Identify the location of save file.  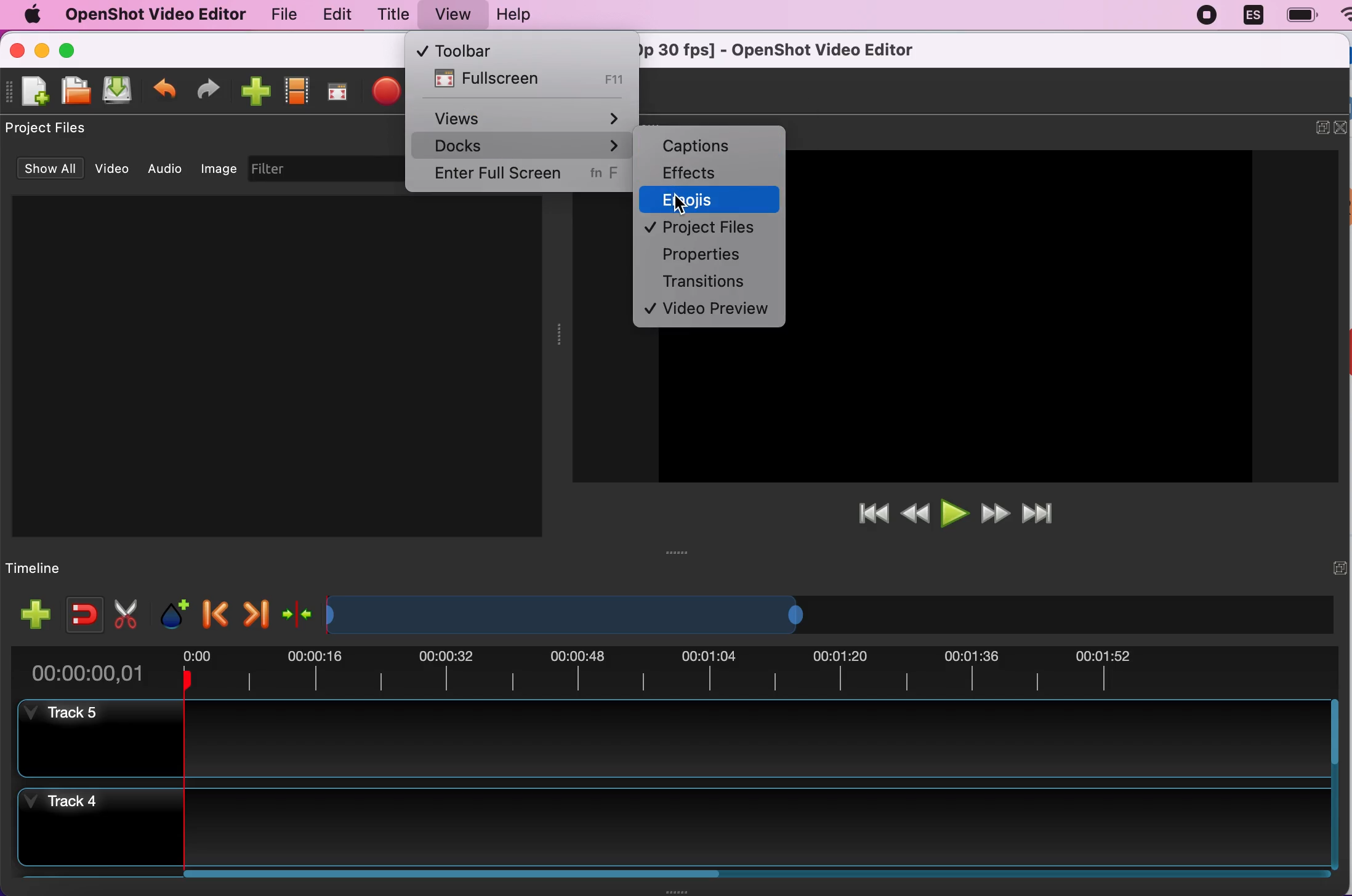
(118, 91).